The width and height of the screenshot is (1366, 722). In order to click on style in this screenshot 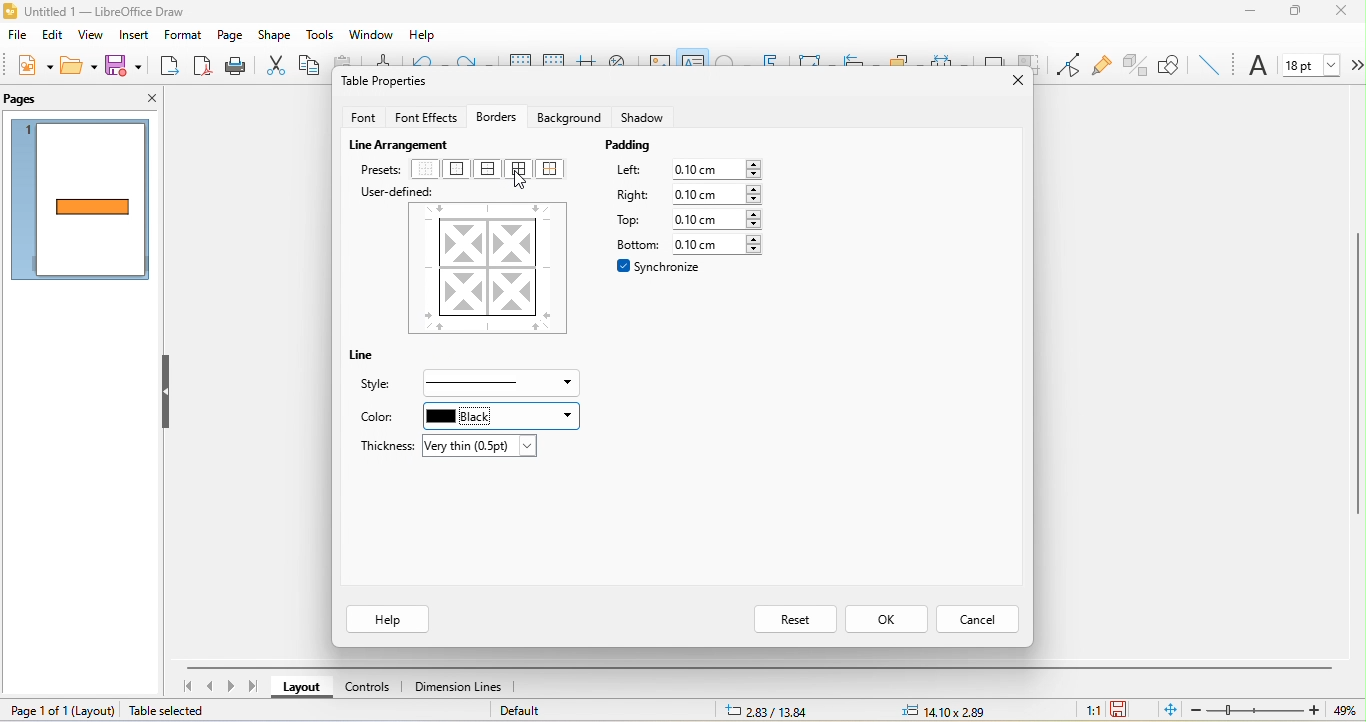, I will do `click(384, 385)`.